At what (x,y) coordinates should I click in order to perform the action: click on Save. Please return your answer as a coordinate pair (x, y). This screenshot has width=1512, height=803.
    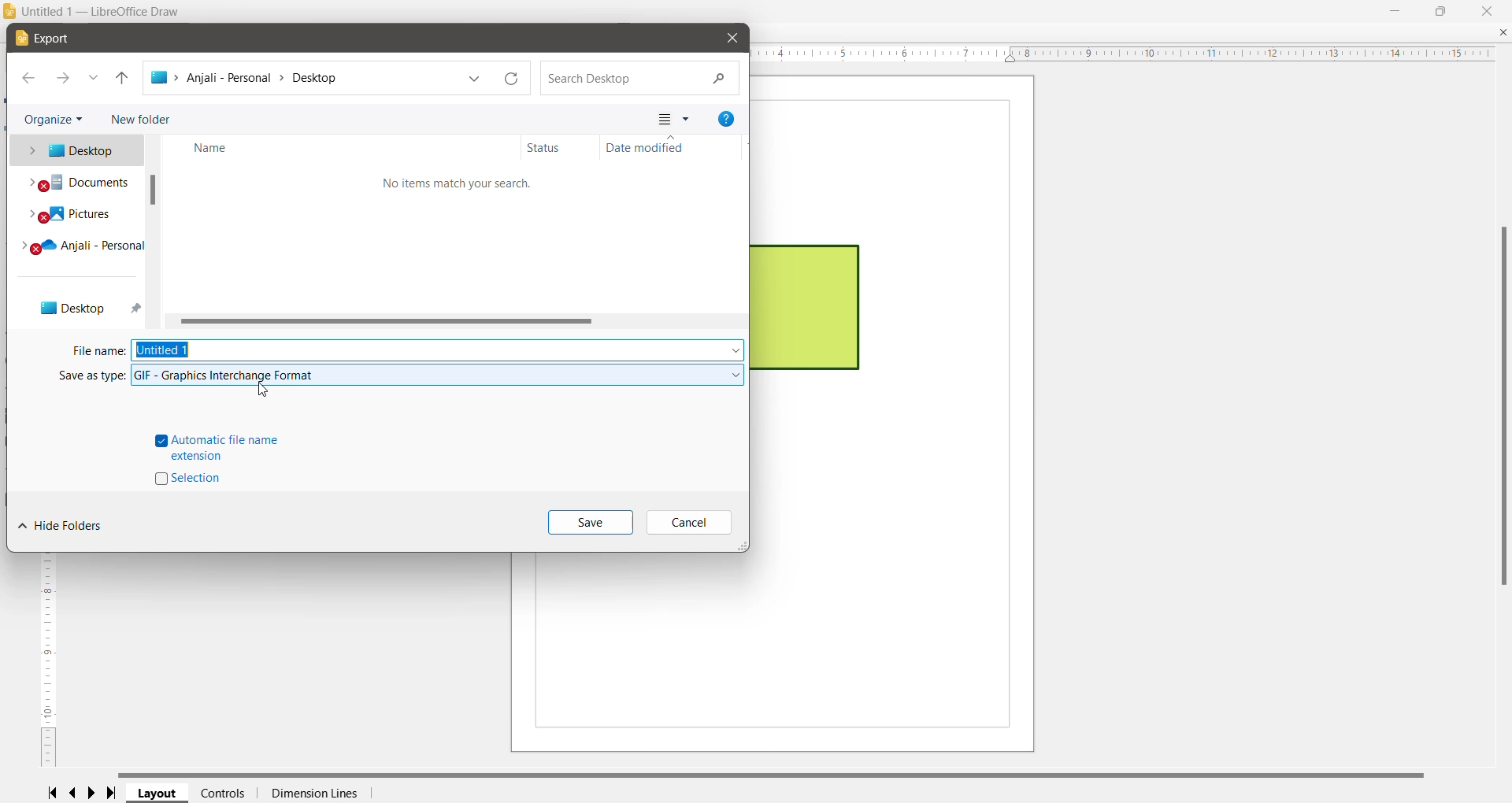
    Looking at the image, I should click on (590, 524).